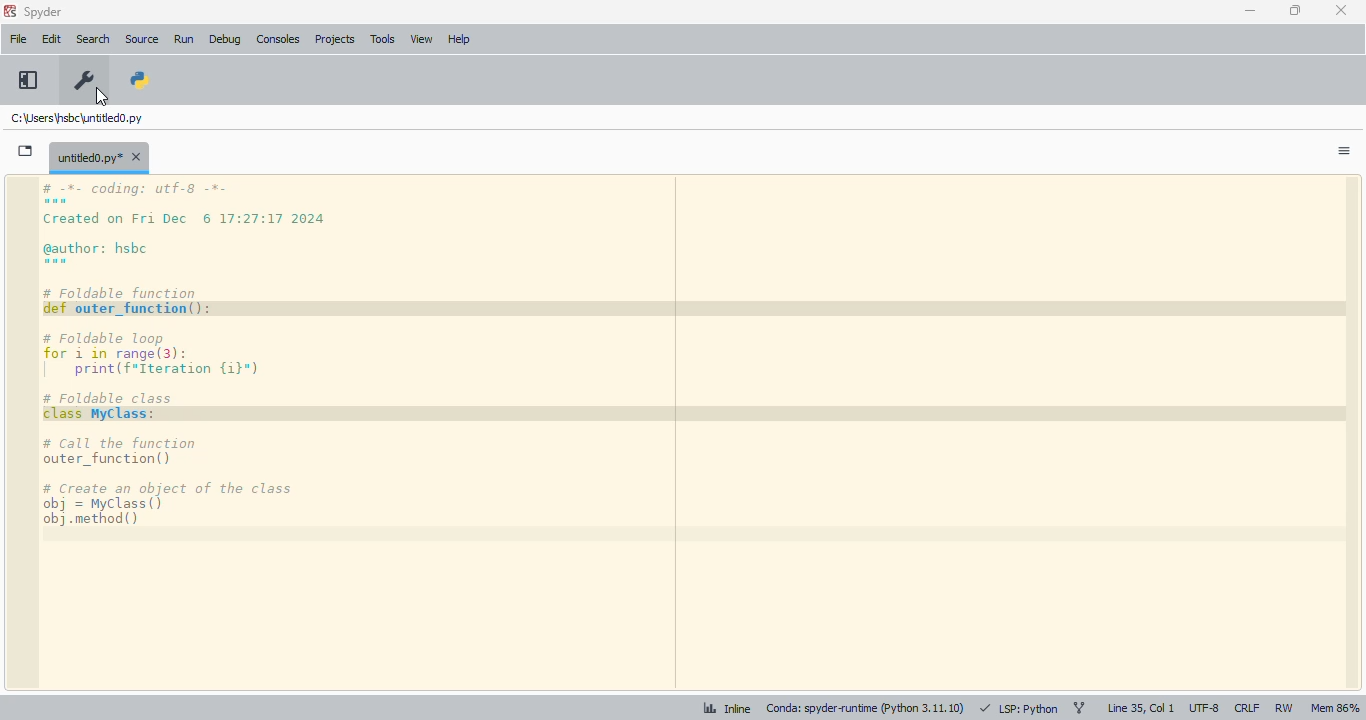 This screenshot has height=720, width=1366. I want to click on logo, so click(9, 11).